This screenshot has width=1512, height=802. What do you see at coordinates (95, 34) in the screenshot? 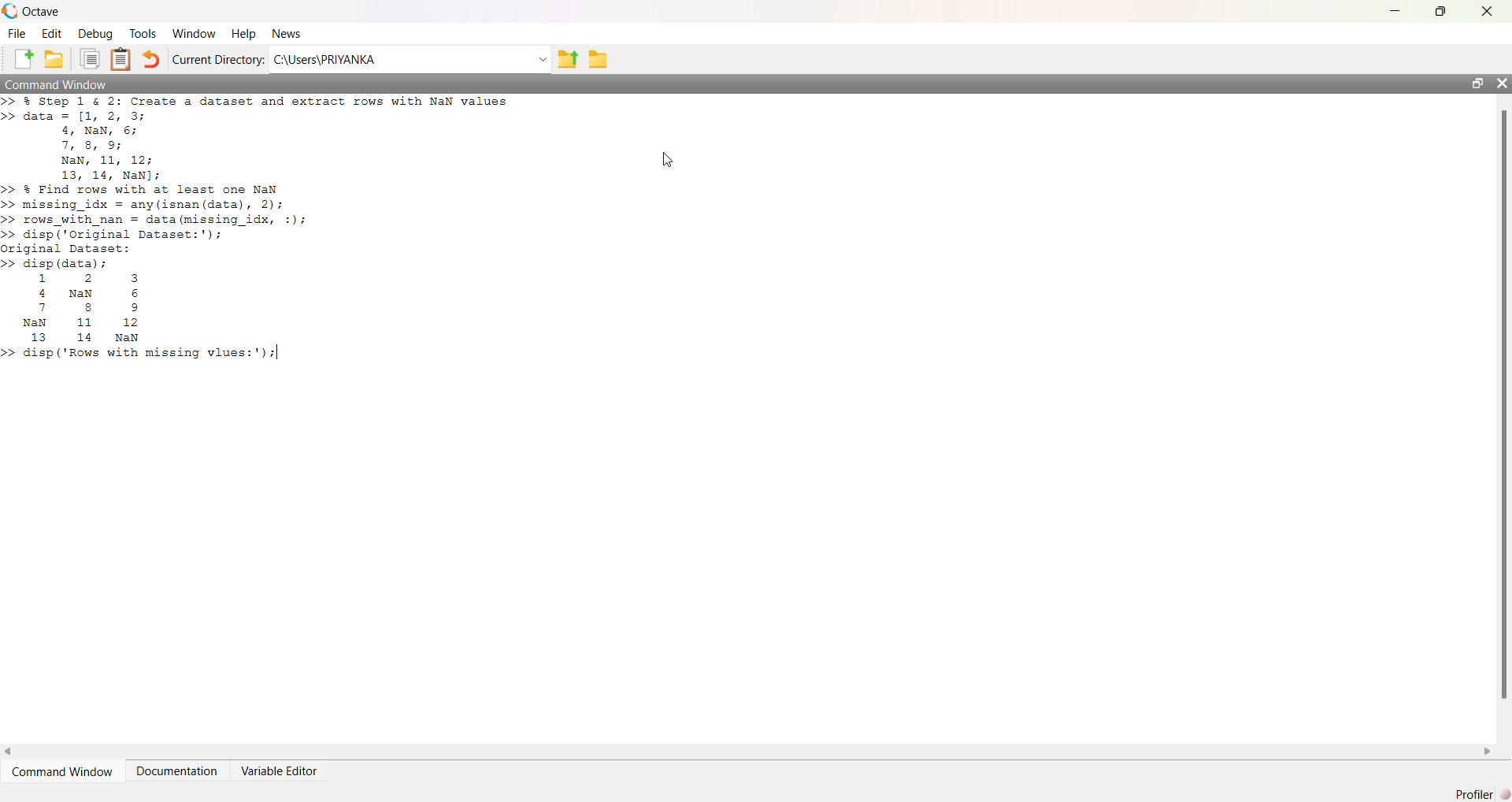
I see `Debug` at bounding box center [95, 34].